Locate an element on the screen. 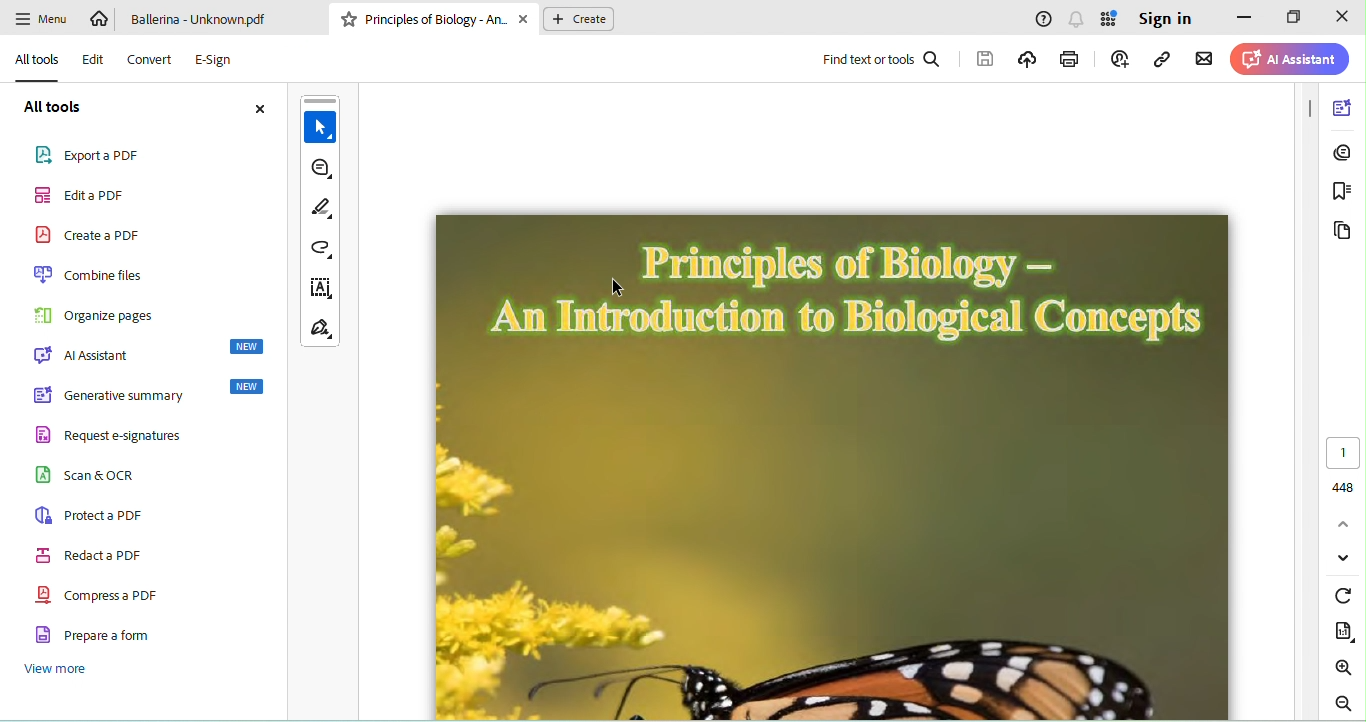   go to home view is located at coordinates (101, 19).